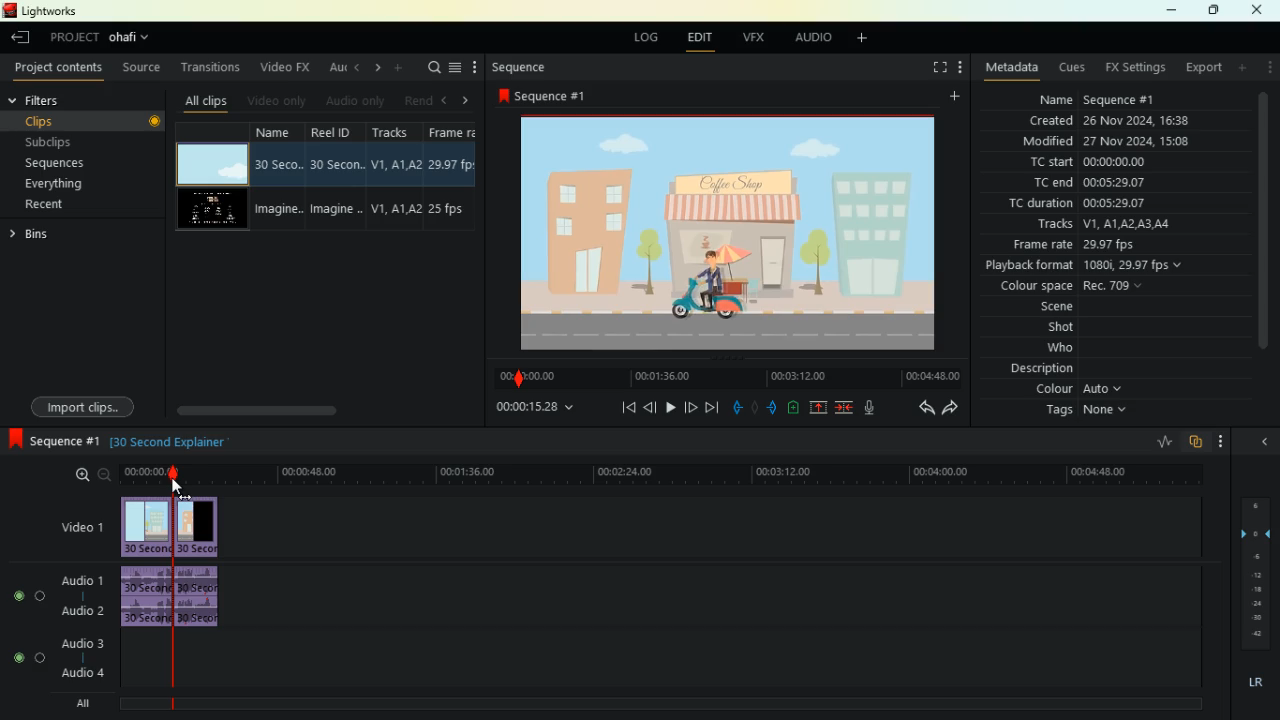 This screenshot has width=1280, height=720. What do you see at coordinates (648, 409) in the screenshot?
I see `back` at bounding box center [648, 409].